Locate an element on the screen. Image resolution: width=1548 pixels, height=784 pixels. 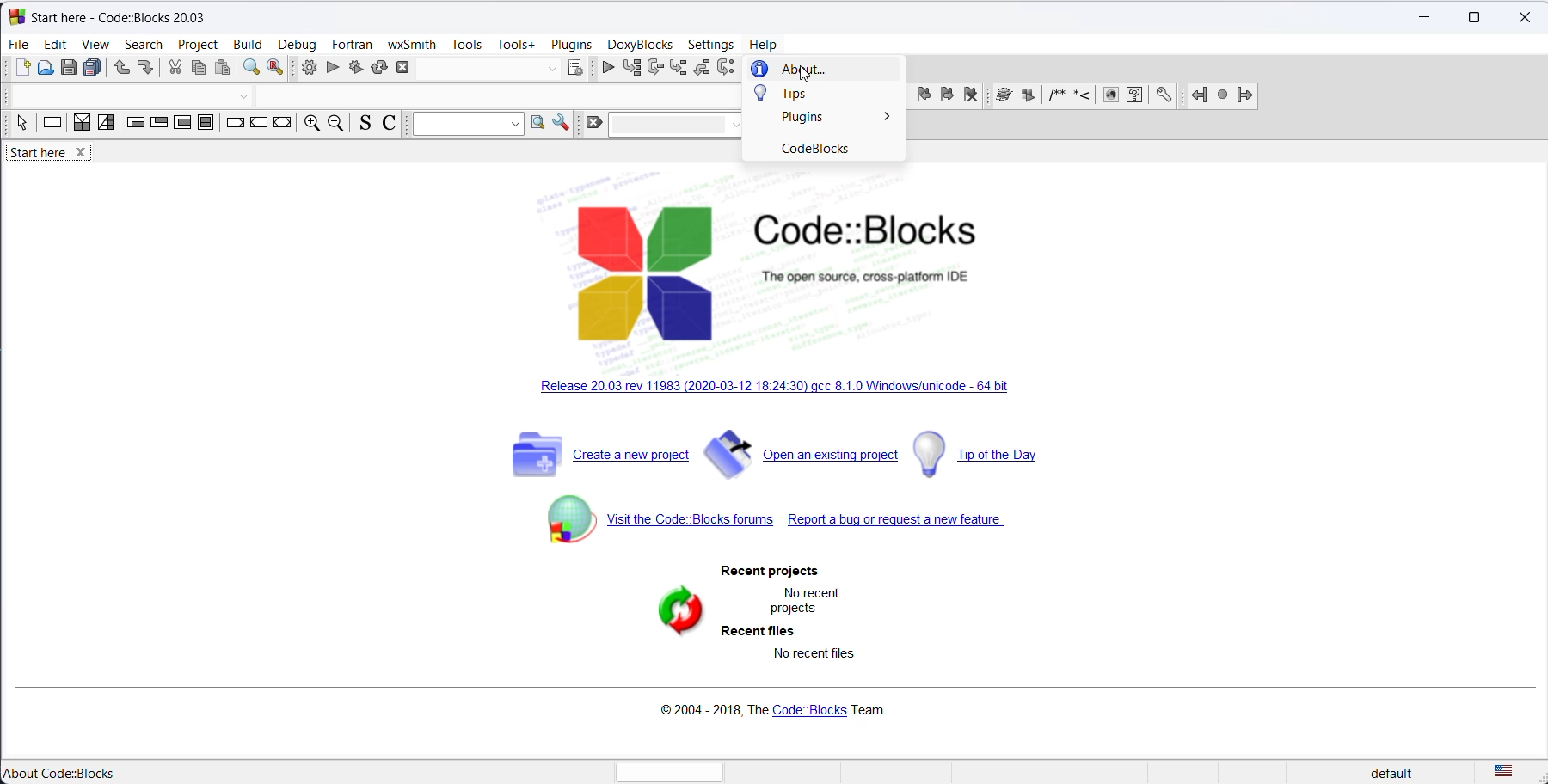
Preferences is located at coordinates (1164, 96).